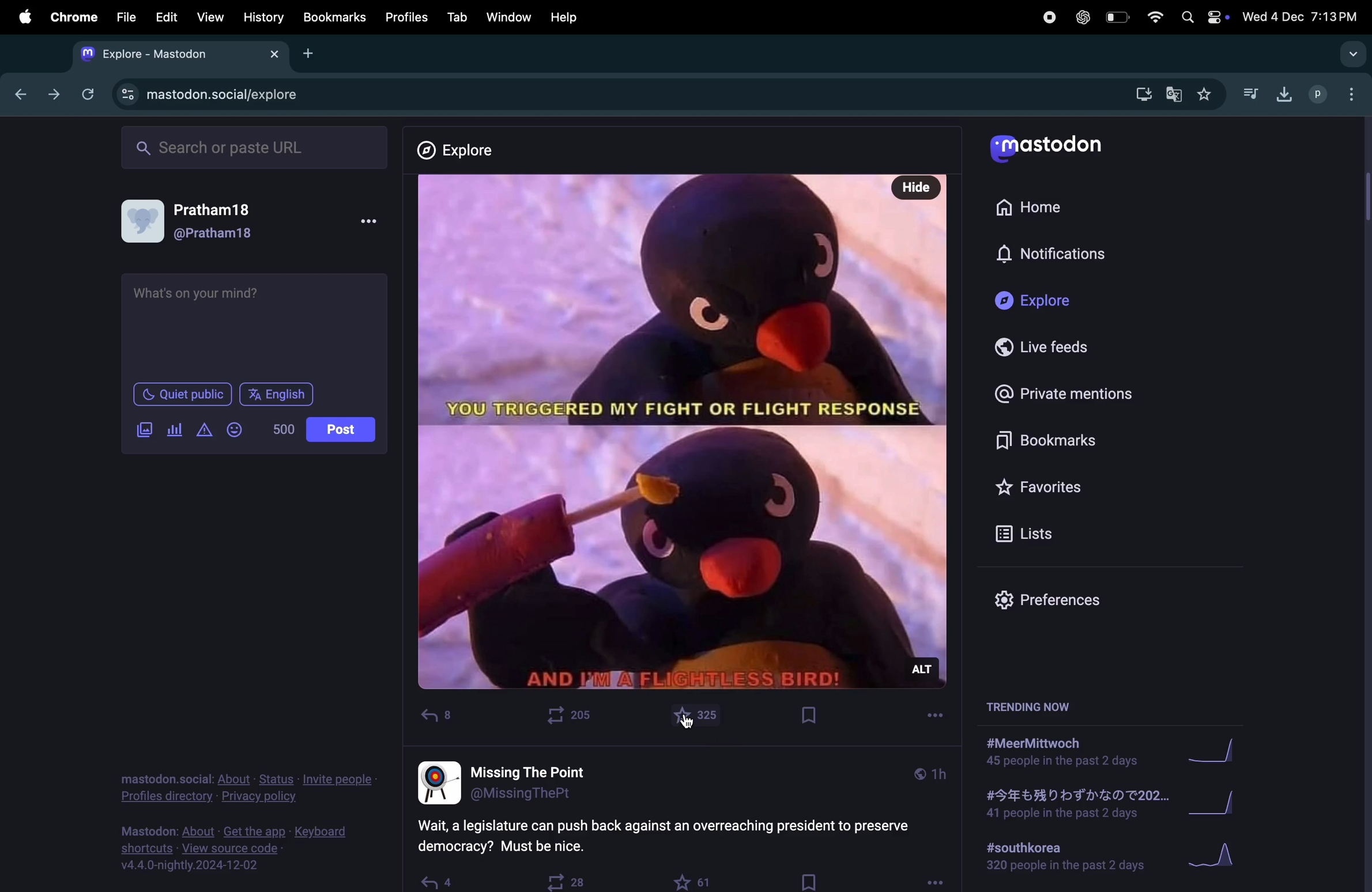  I want to click on back, so click(20, 97).